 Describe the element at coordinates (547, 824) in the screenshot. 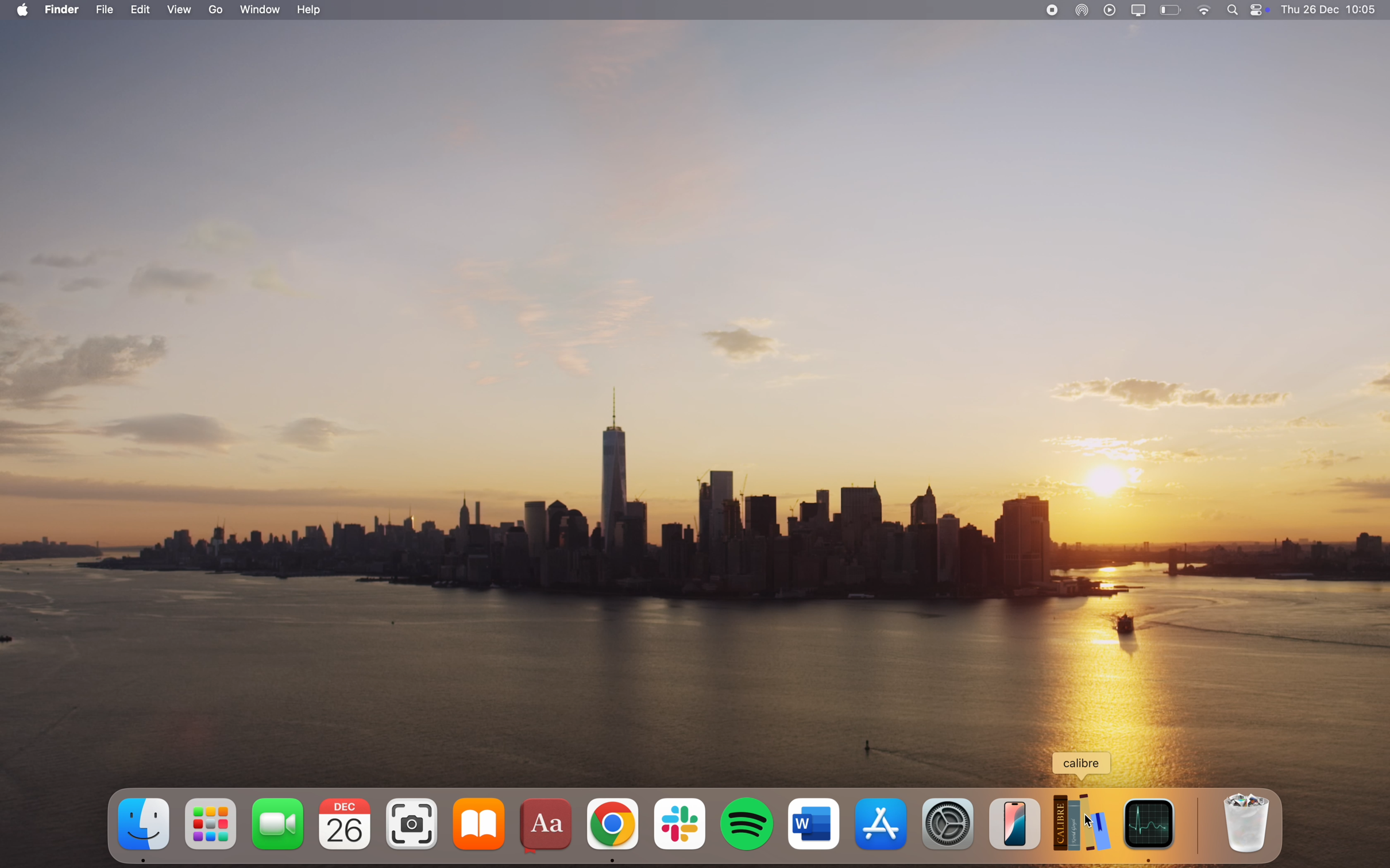

I see `dictonary` at that location.